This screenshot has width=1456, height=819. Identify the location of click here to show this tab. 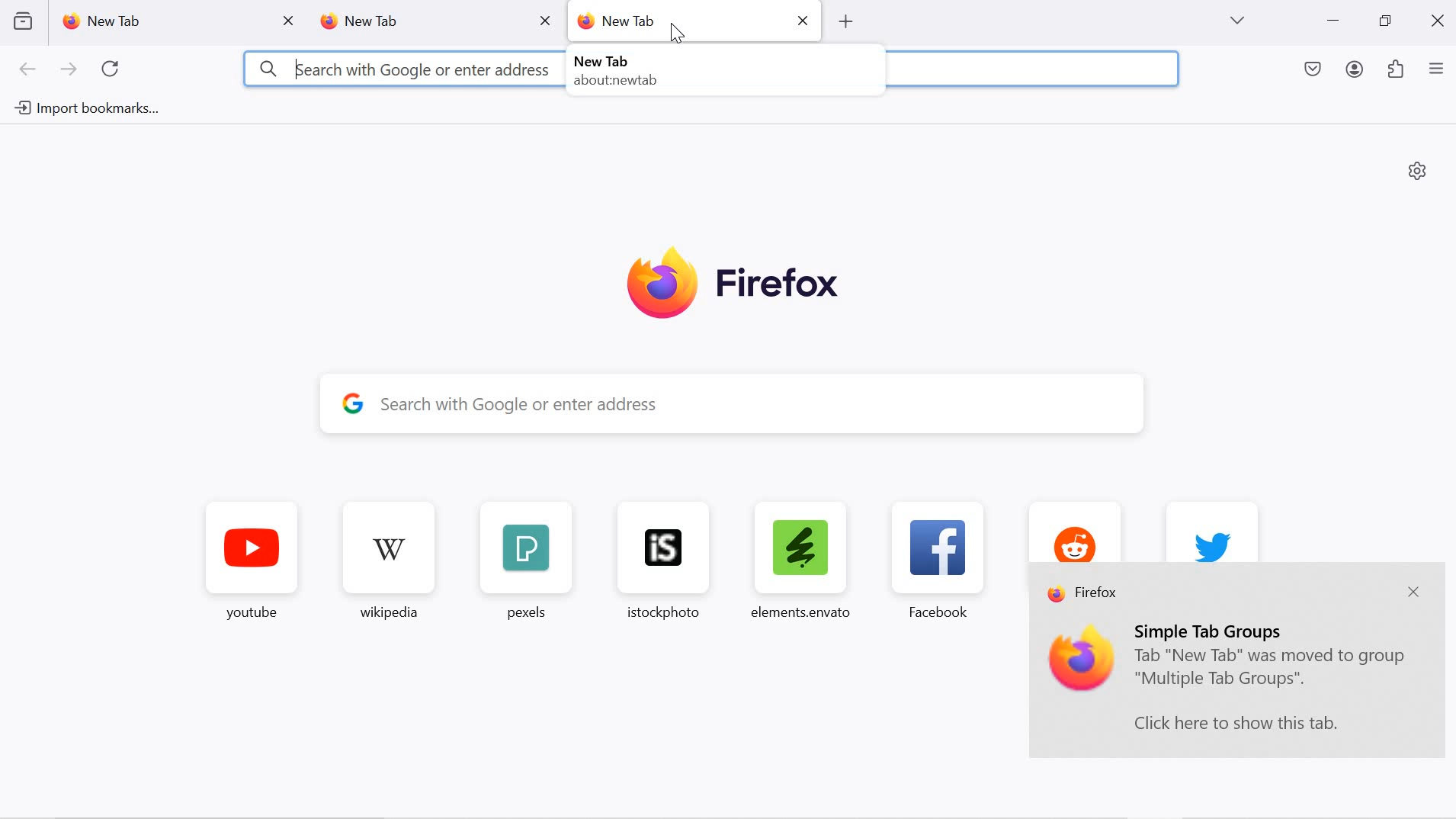
(1236, 723).